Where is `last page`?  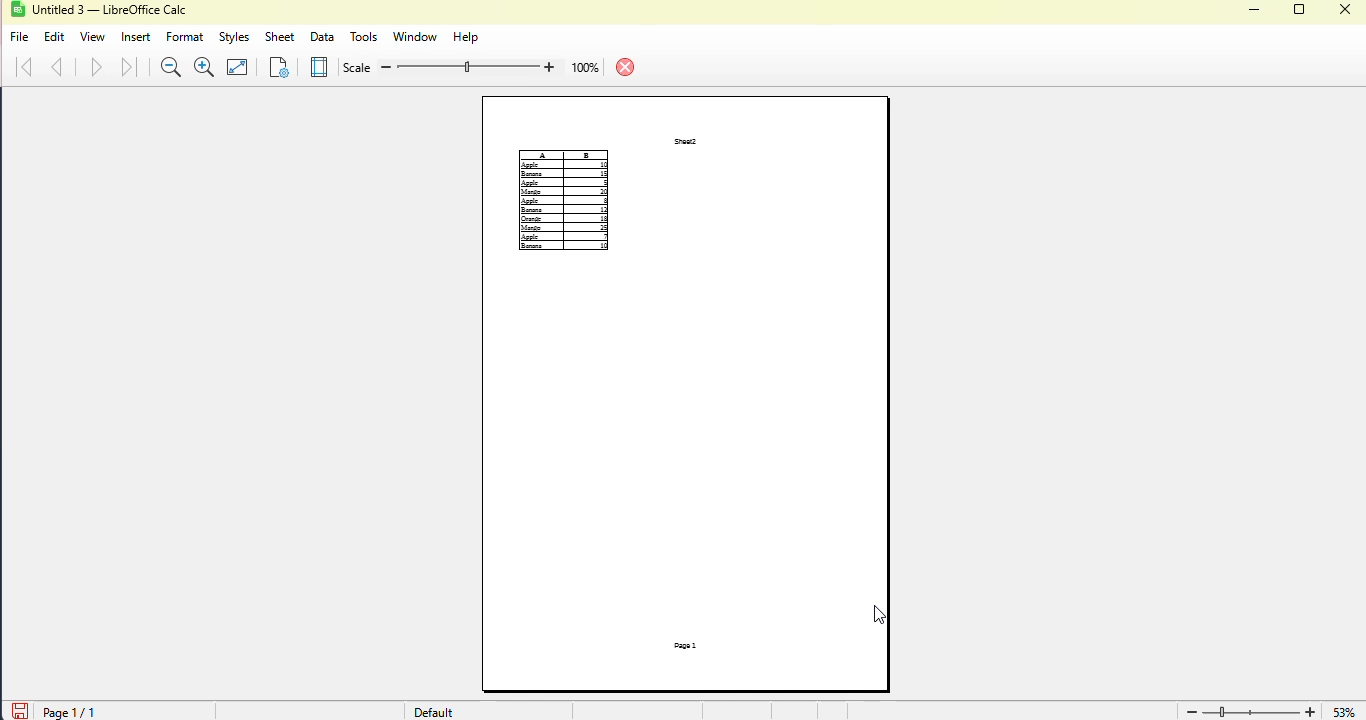
last page is located at coordinates (130, 66).